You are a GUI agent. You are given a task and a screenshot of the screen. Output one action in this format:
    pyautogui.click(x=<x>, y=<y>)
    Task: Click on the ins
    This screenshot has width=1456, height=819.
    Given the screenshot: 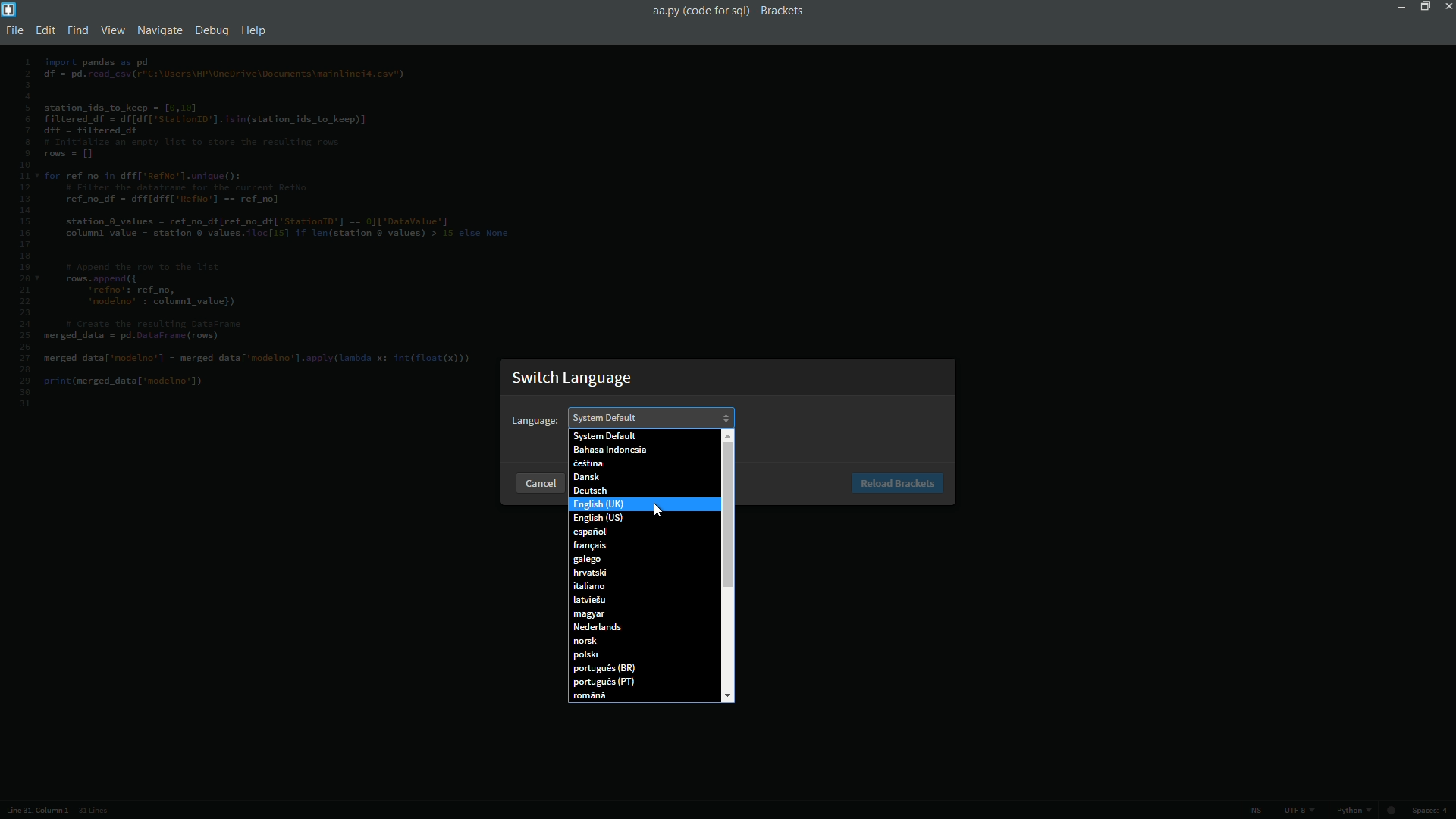 What is the action you would take?
    pyautogui.click(x=1254, y=811)
    